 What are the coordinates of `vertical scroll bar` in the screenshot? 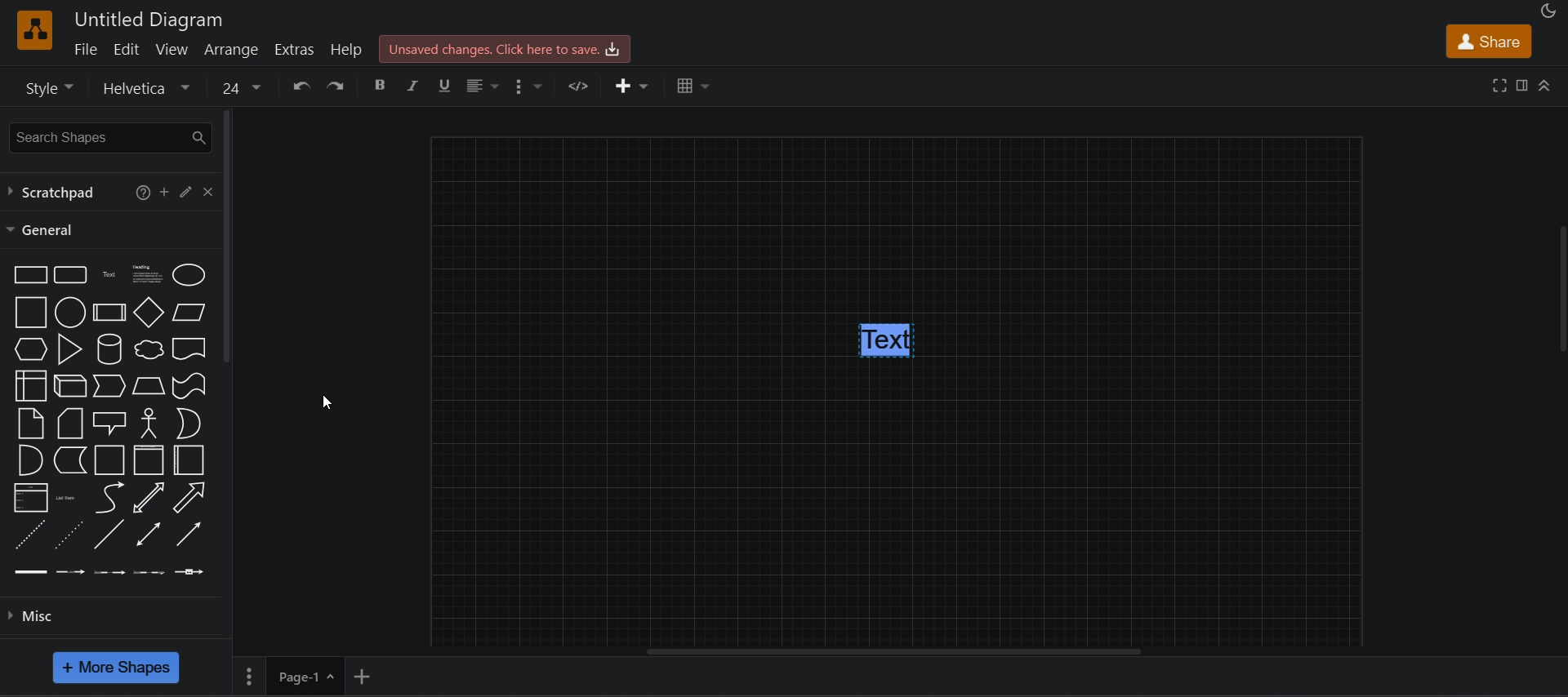 It's located at (227, 237).